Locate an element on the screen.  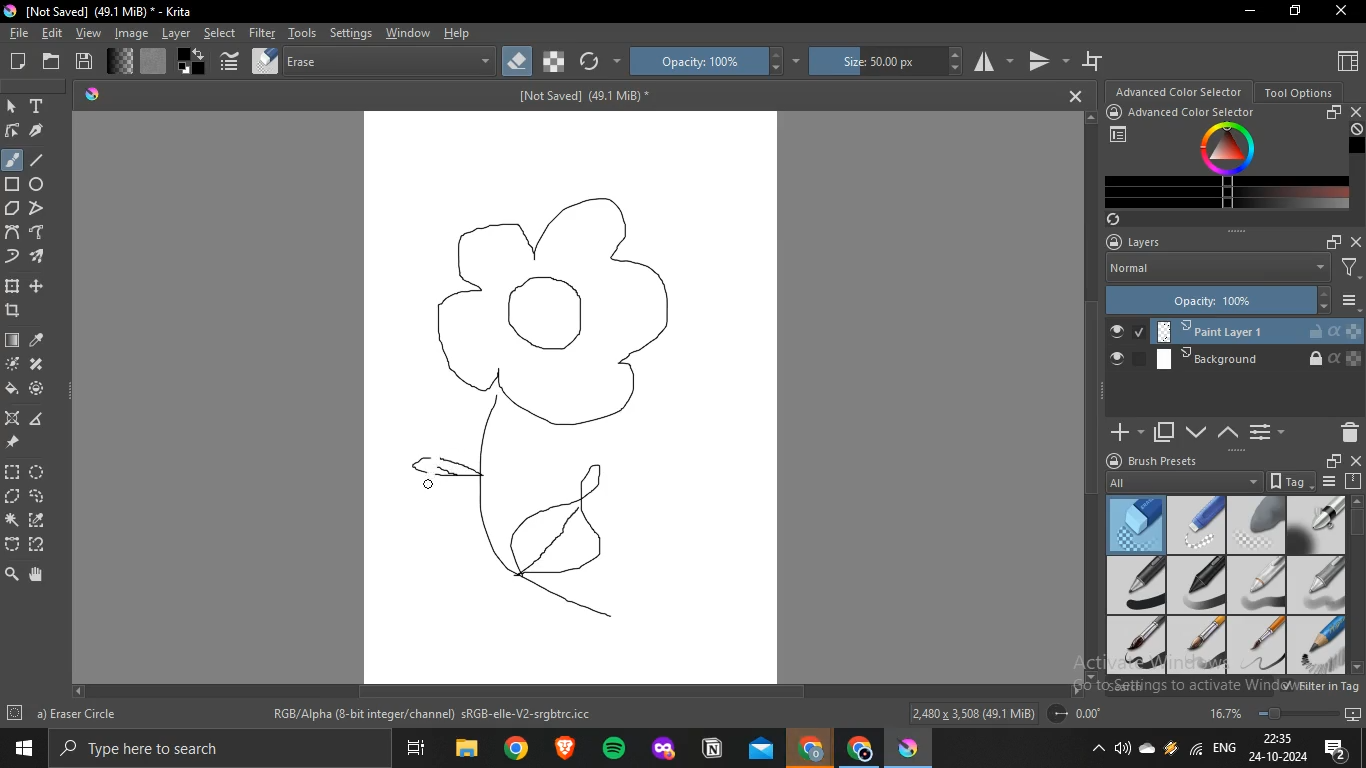
Opacity is located at coordinates (1218, 297).